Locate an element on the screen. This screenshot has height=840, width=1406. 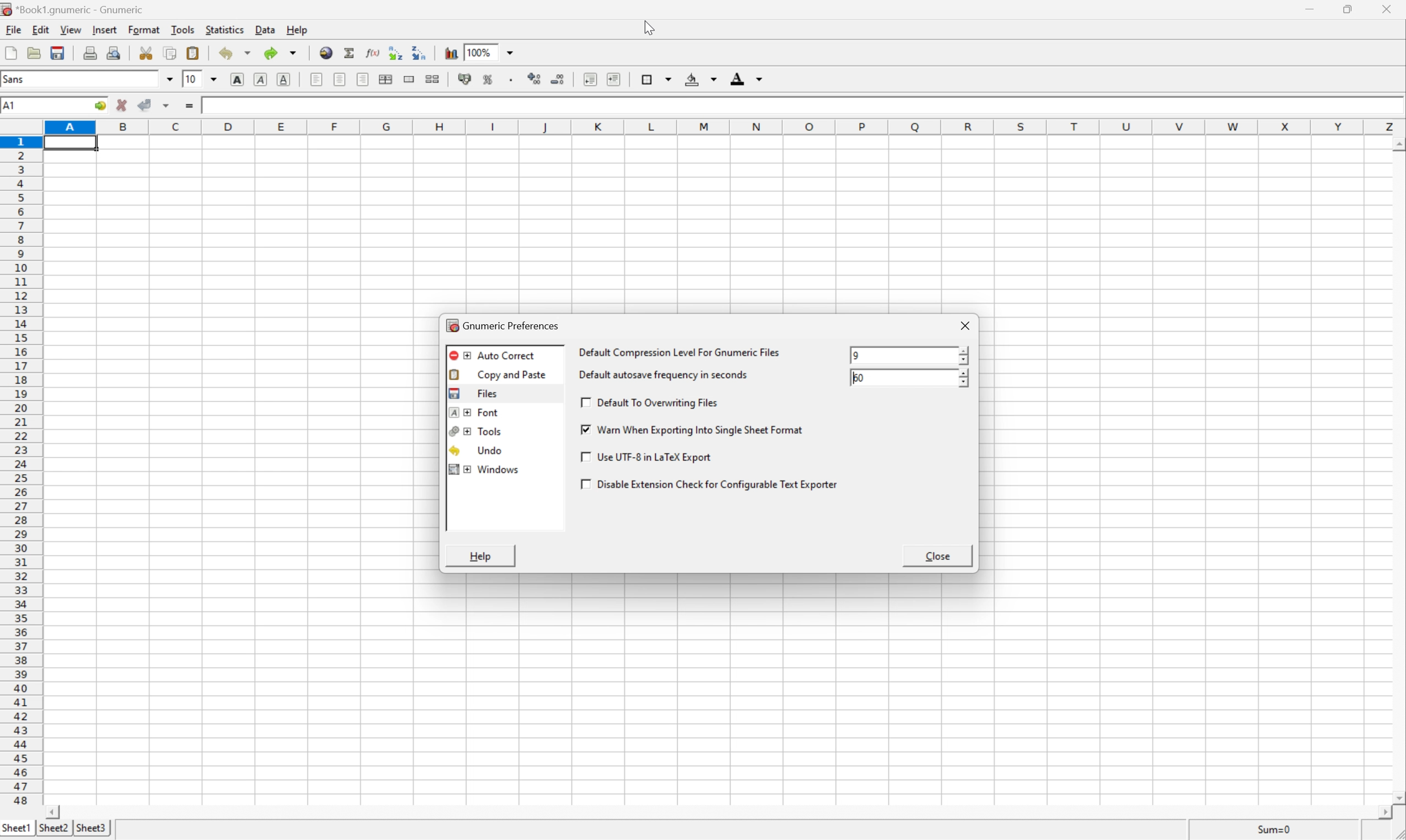
decrease numbers of decimals displayed is located at coordinates (561, 78).